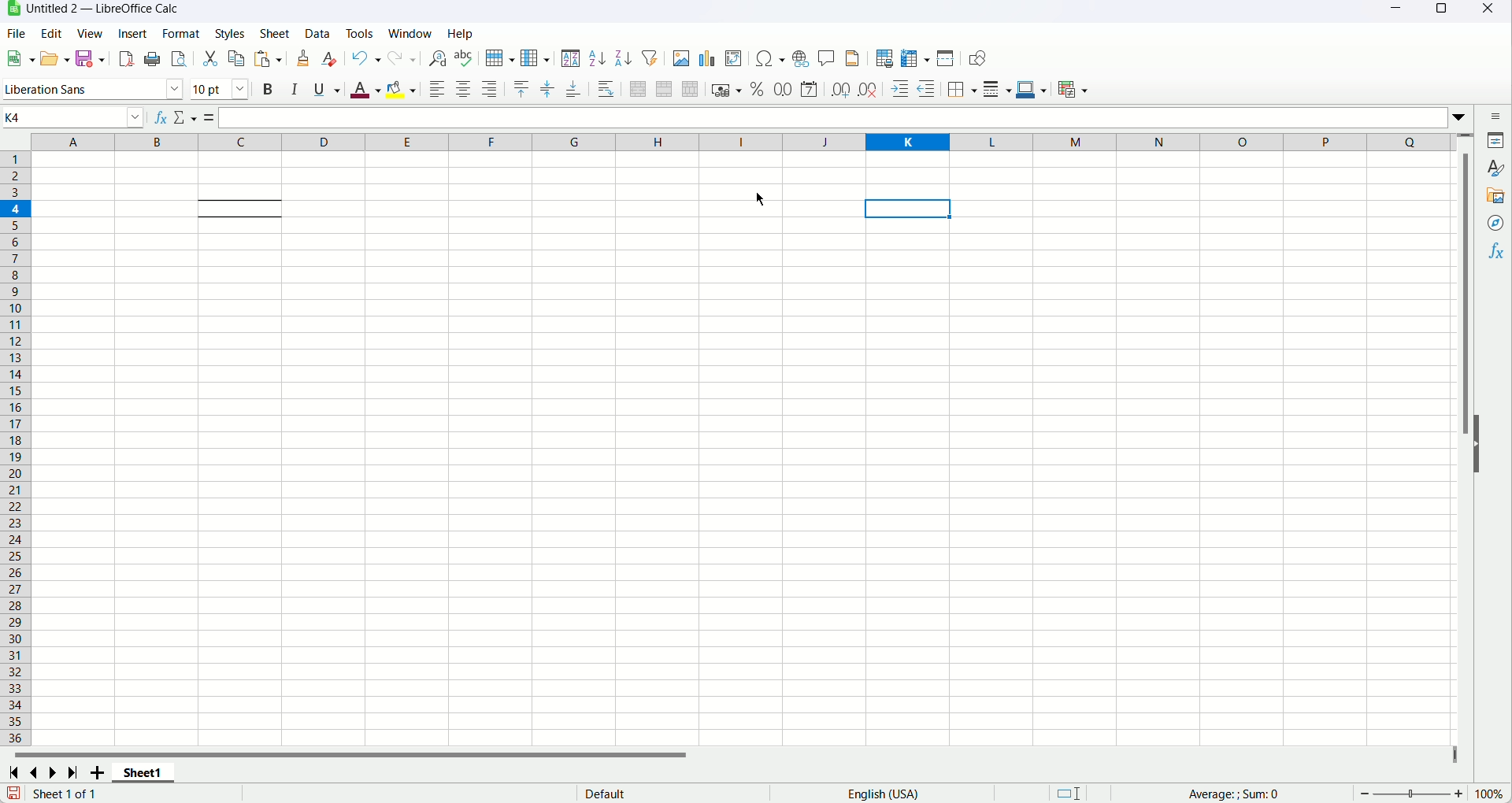 The width and height of the screenshot is (1512, 803). What do you see at coordinates (211, 60) in the screenshot?
I see `Cut` at bounding box center [211, 60].